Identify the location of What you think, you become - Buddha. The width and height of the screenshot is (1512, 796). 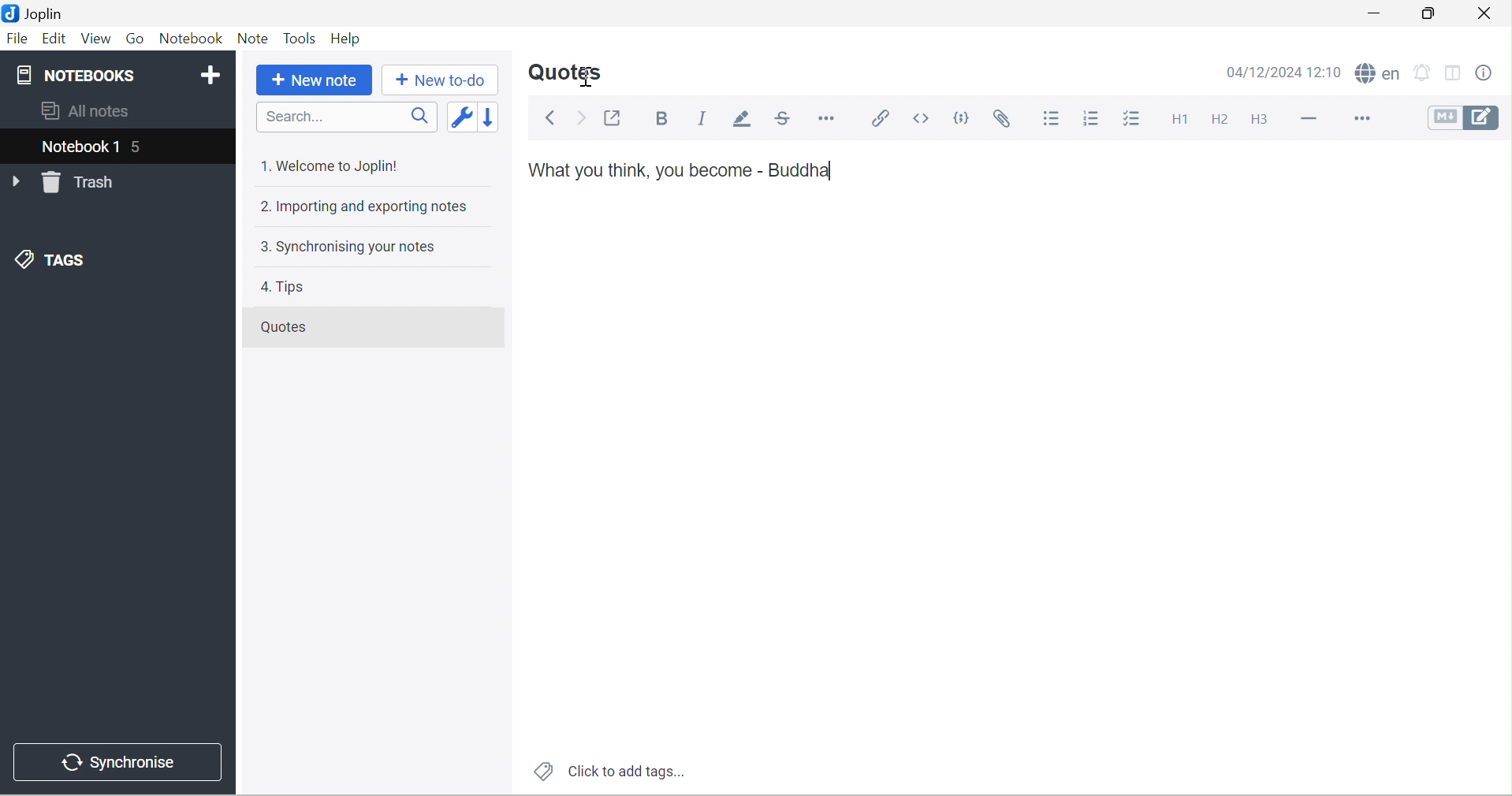
(681, 171).